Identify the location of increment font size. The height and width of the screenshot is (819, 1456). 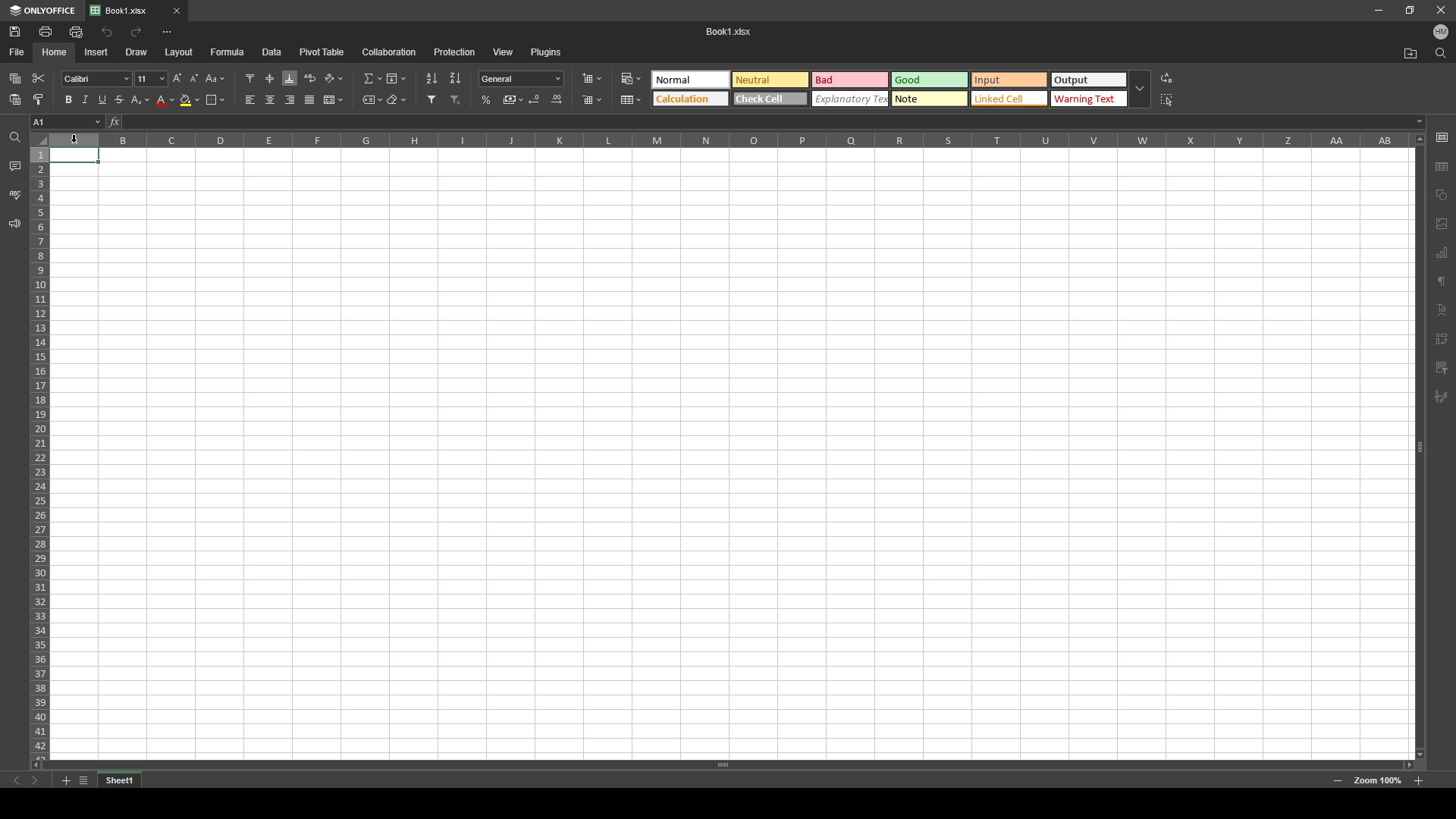
(176, 78).